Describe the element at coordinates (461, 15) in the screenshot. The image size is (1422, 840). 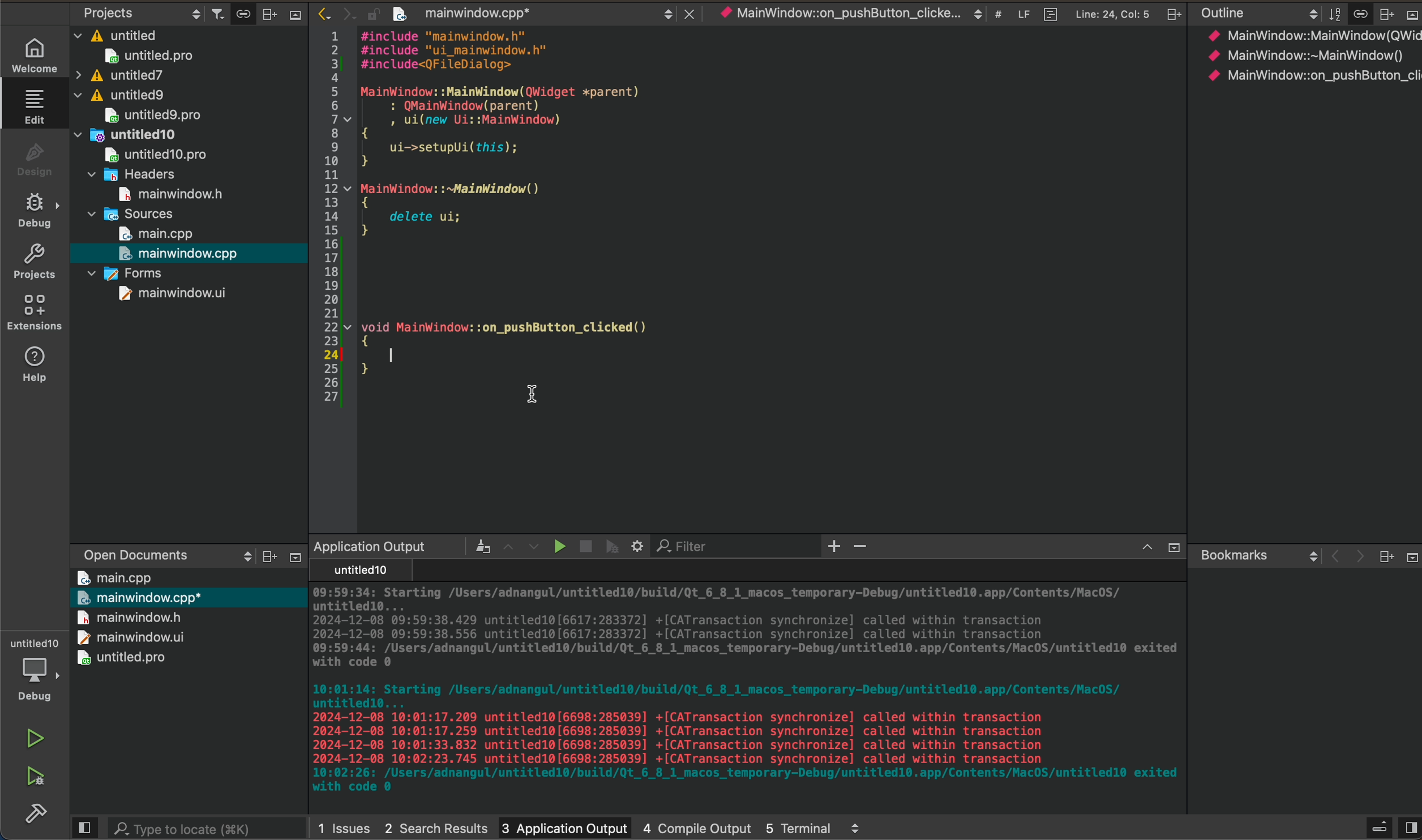
I see `mainwindow.cpp` at that location.